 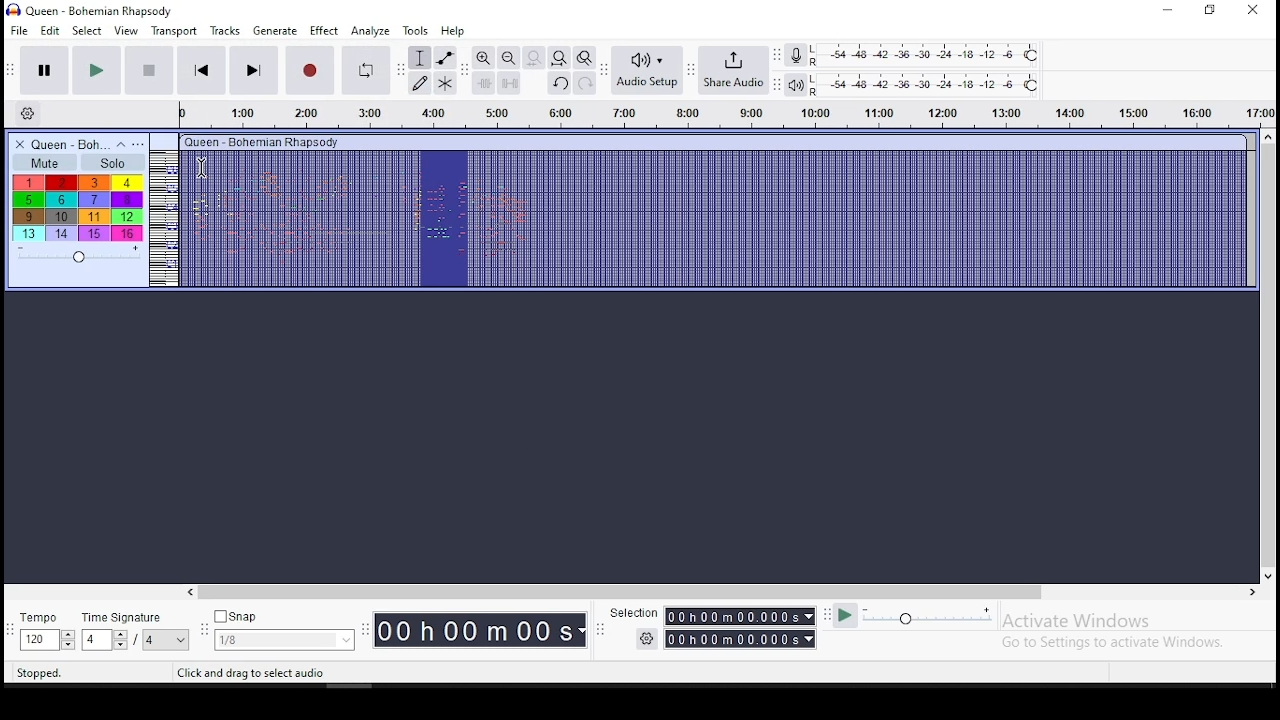 What do you see at coordinates (113, 162) in the screenshot?
I see `solo` at bounding box center [113, 162].